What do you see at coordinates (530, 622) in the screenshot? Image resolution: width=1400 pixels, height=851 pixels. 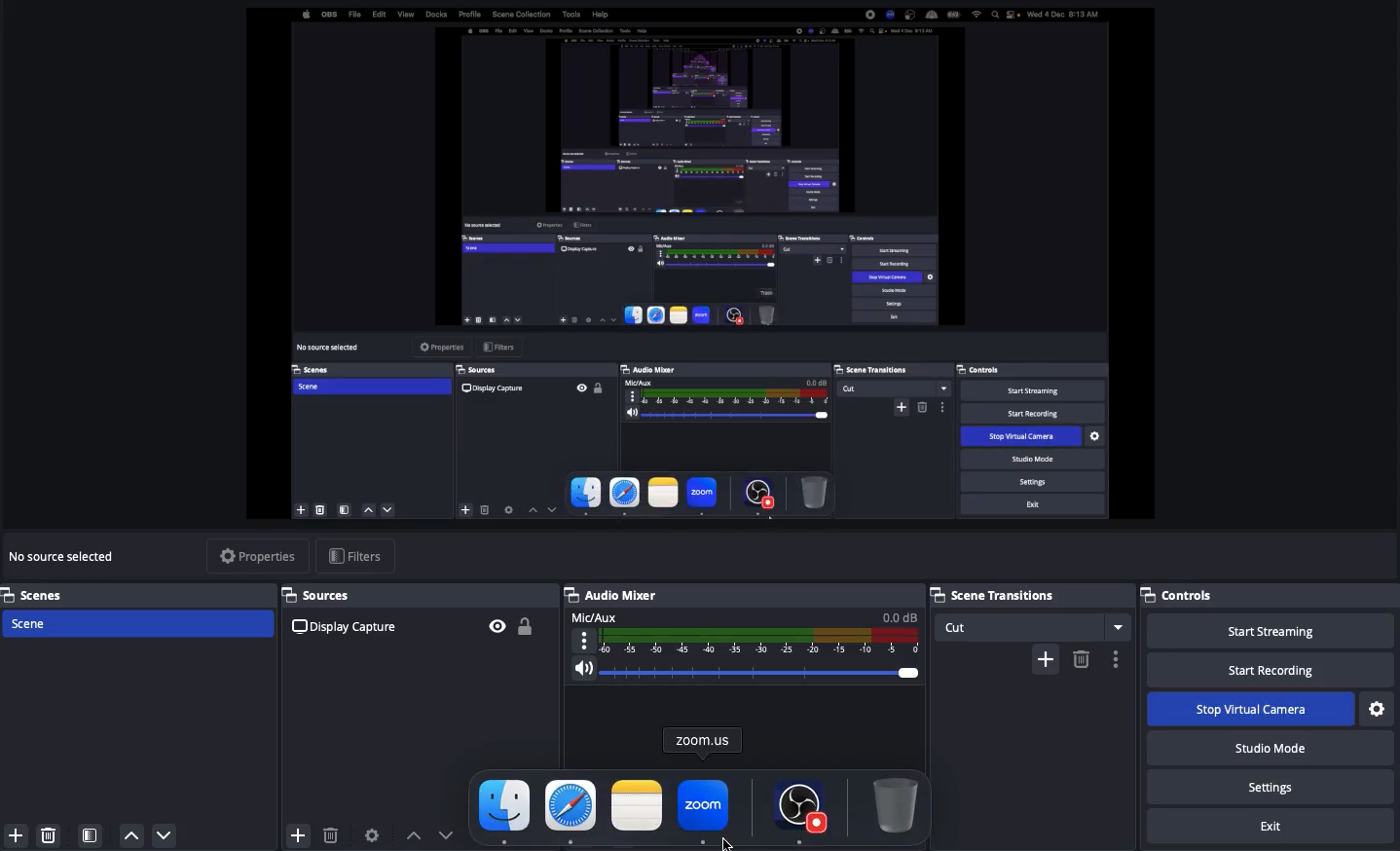 I see `Unlock` at bounding box center [530, 622].